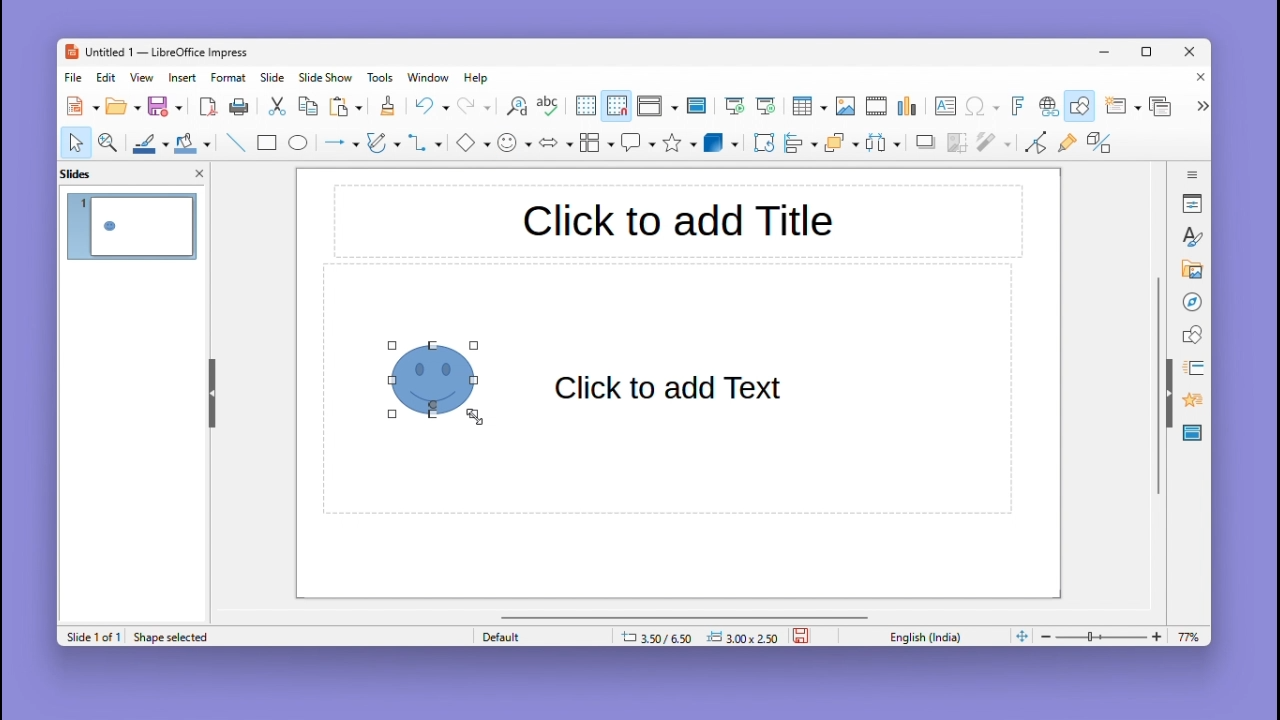 This screenshot has width=1280, height=720. I want to click on Fill colour, so click(190, 143).